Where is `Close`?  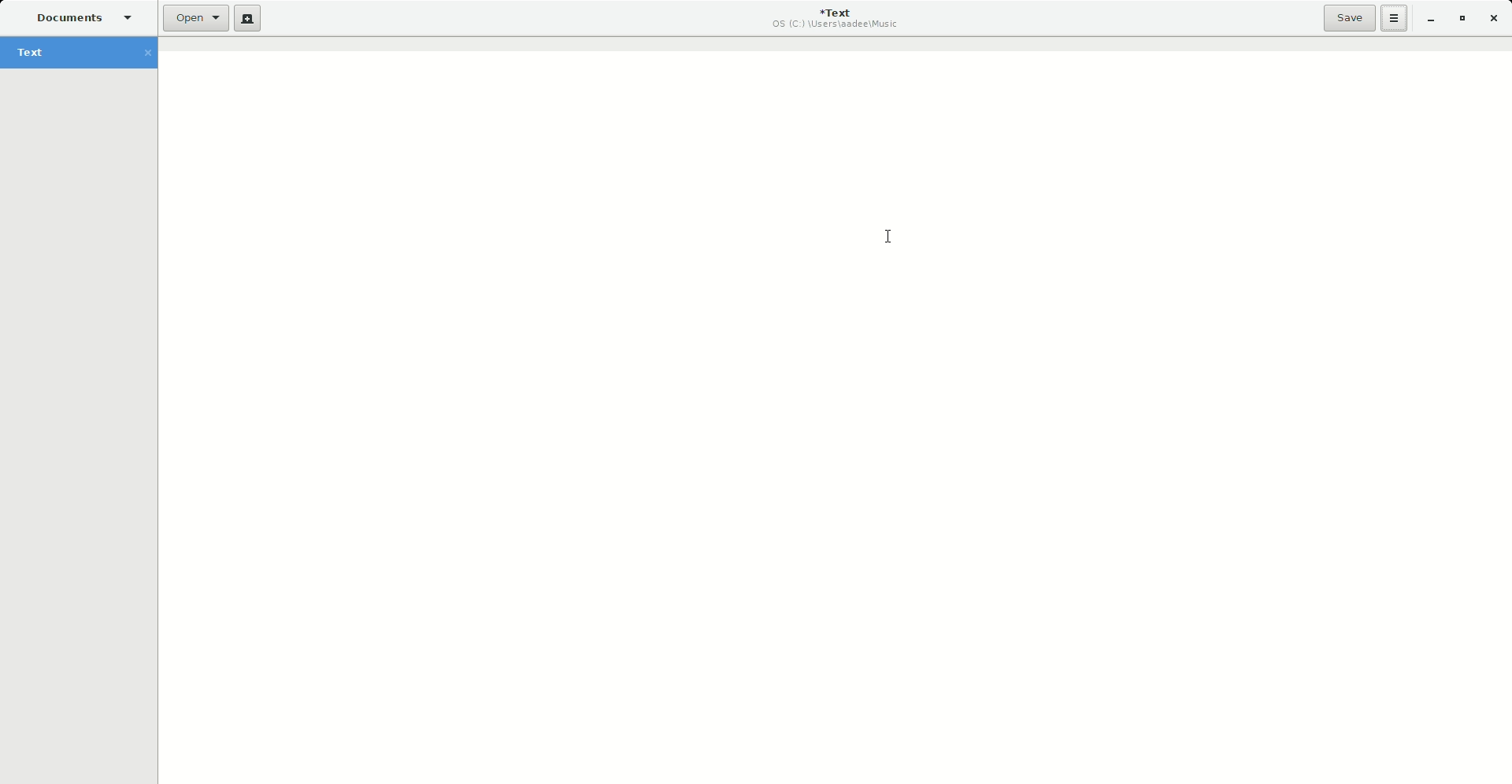
Close is located at coordinates (1495, 19).